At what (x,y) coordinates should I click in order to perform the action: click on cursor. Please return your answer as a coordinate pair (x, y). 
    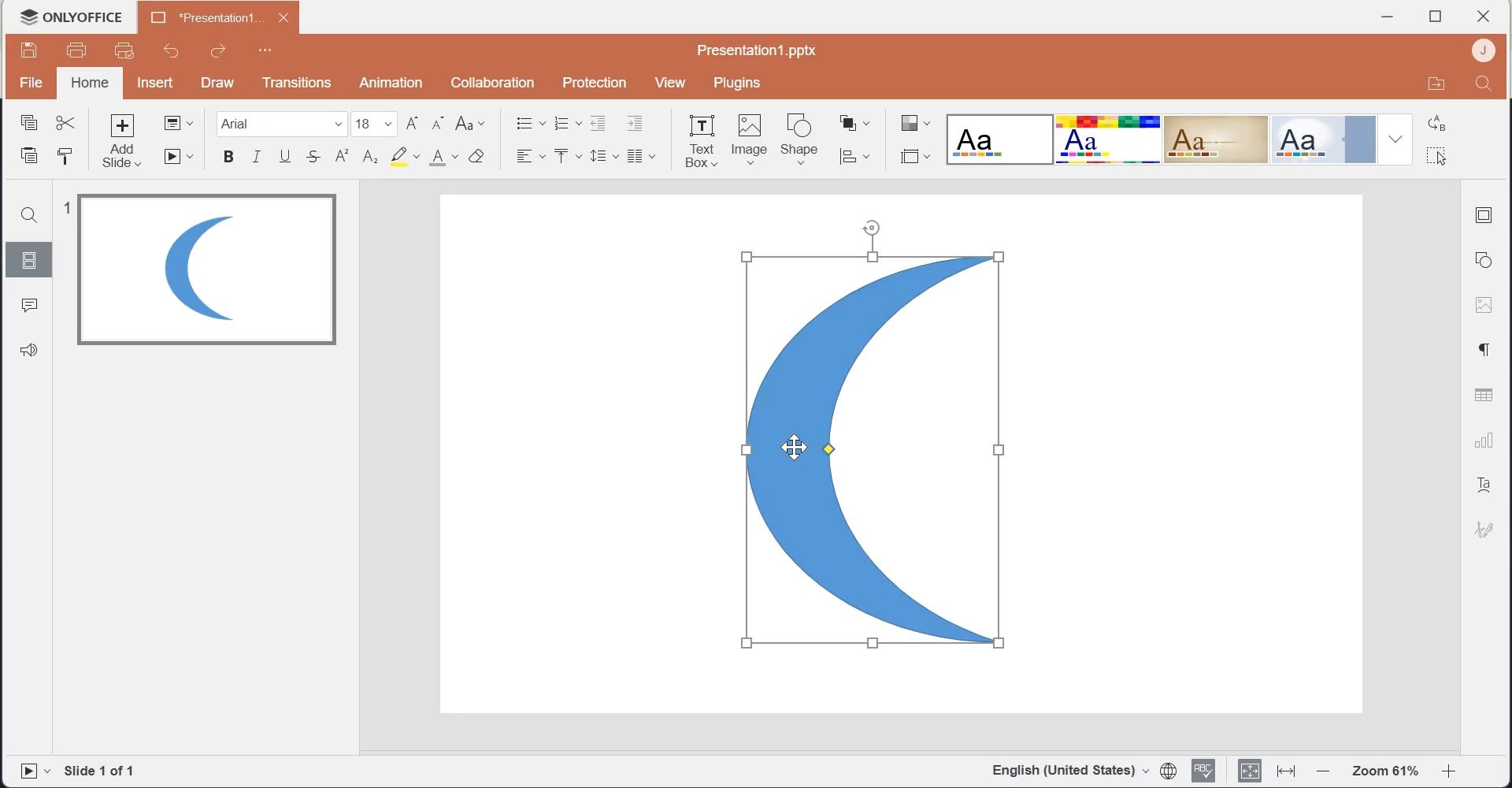
    Looking at the image, I should click on (806, 446).